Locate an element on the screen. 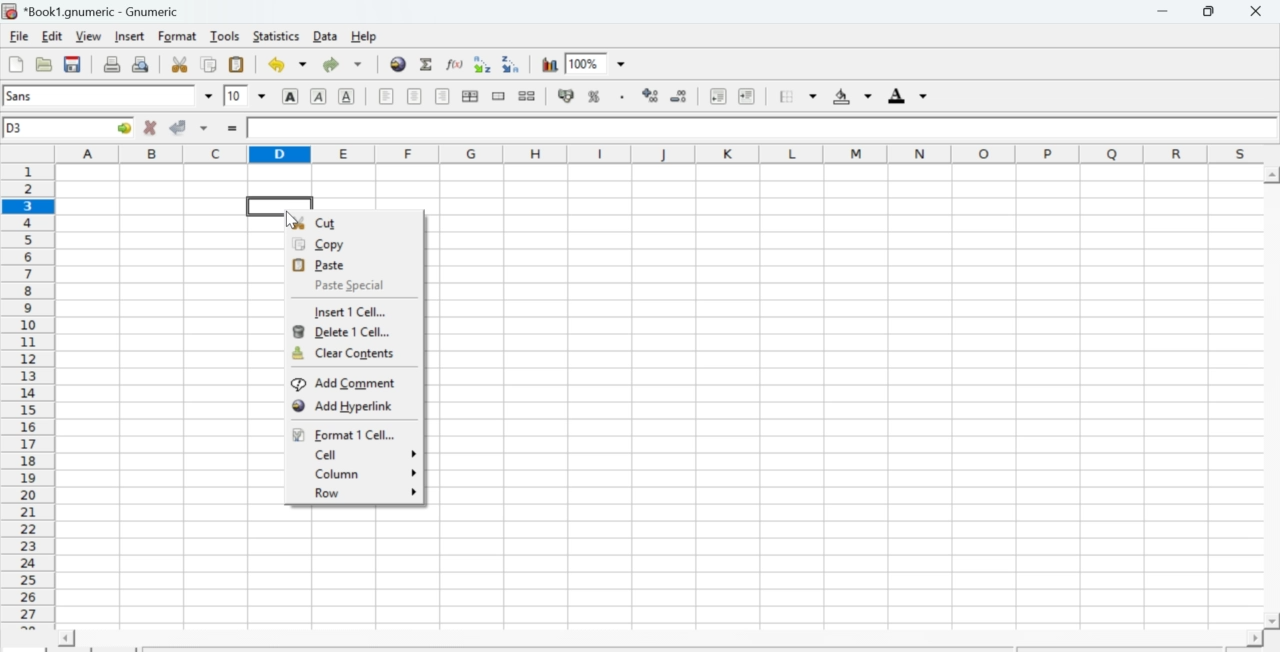 The width and height of the screenshot is (1280, 652). Align Right is located at coordinates (443, 97).